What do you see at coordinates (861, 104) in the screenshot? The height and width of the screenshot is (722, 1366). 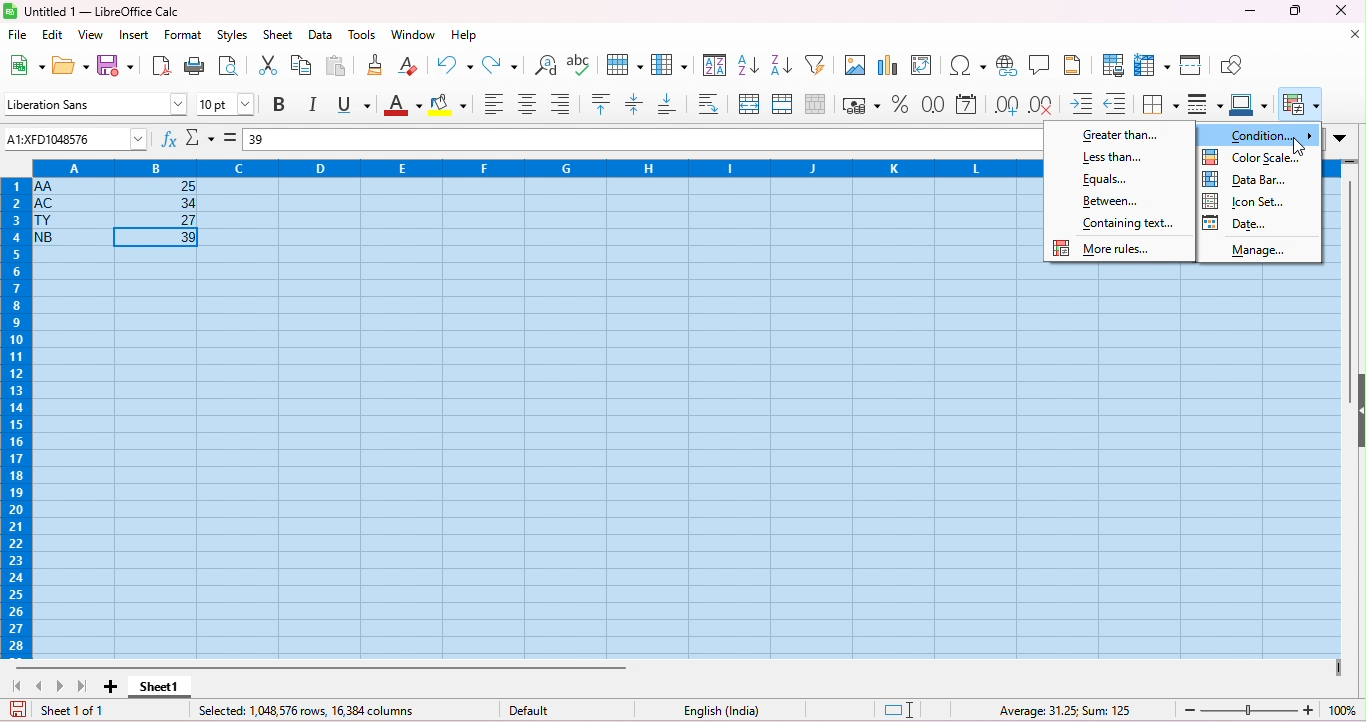 I see `format as currency` at bounding box center [861, 104].